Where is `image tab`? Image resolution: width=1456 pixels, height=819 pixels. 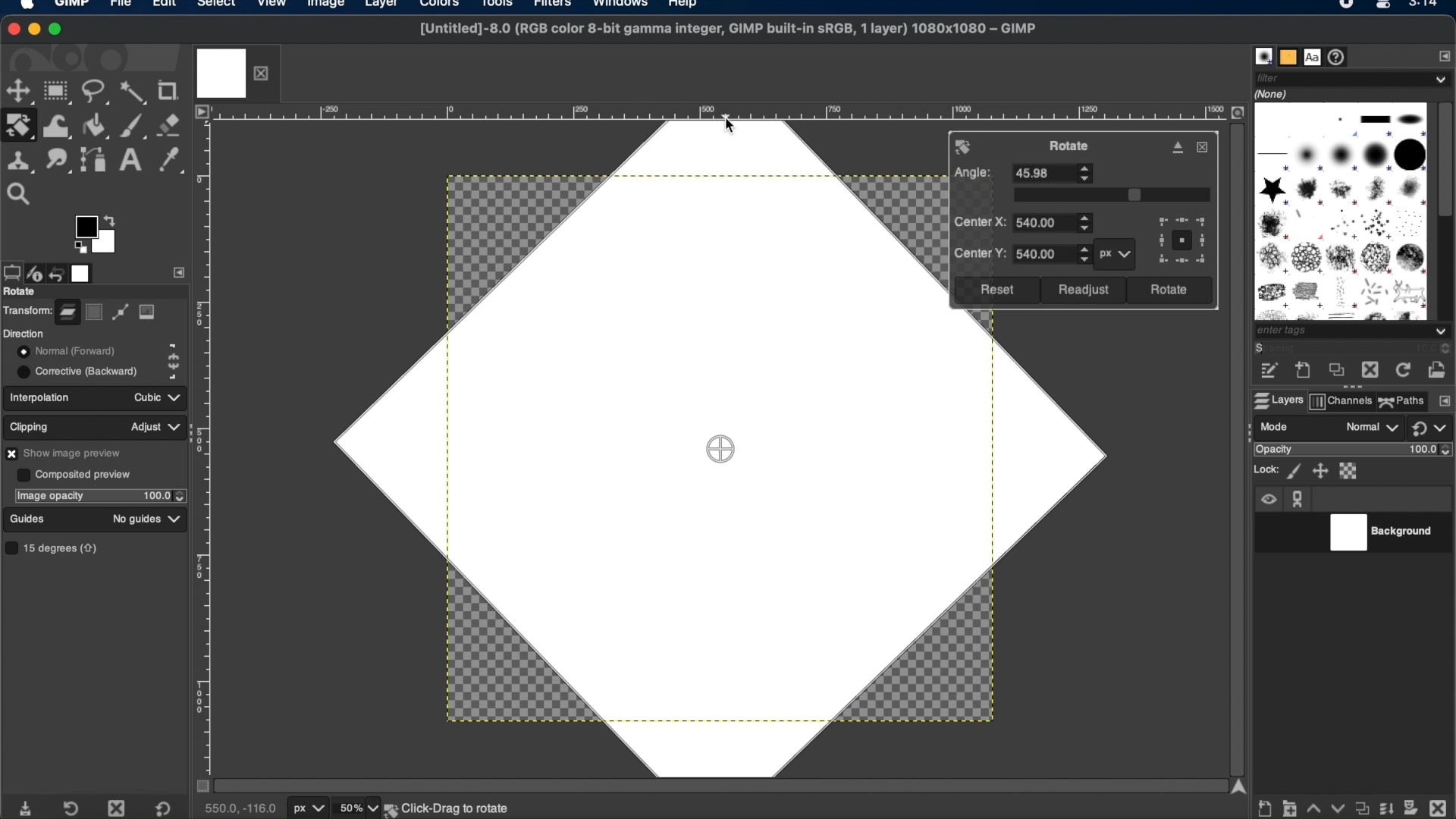
image tab is located at coordinates (221, 72).